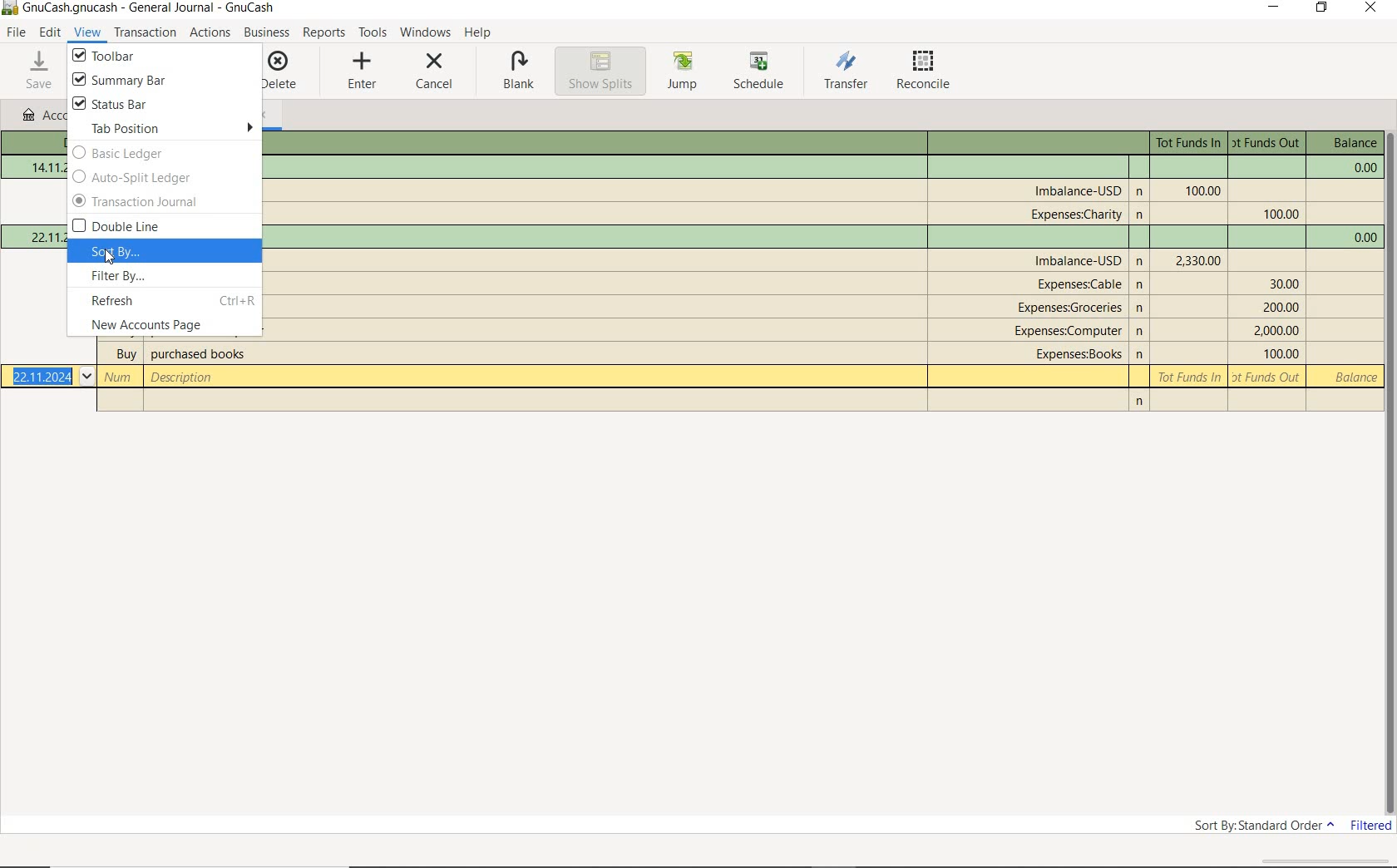  What do you see at coordinates (1197, 260) in the screenshot?
I see `Tot Funds In` at bounding box center [1197, 260].